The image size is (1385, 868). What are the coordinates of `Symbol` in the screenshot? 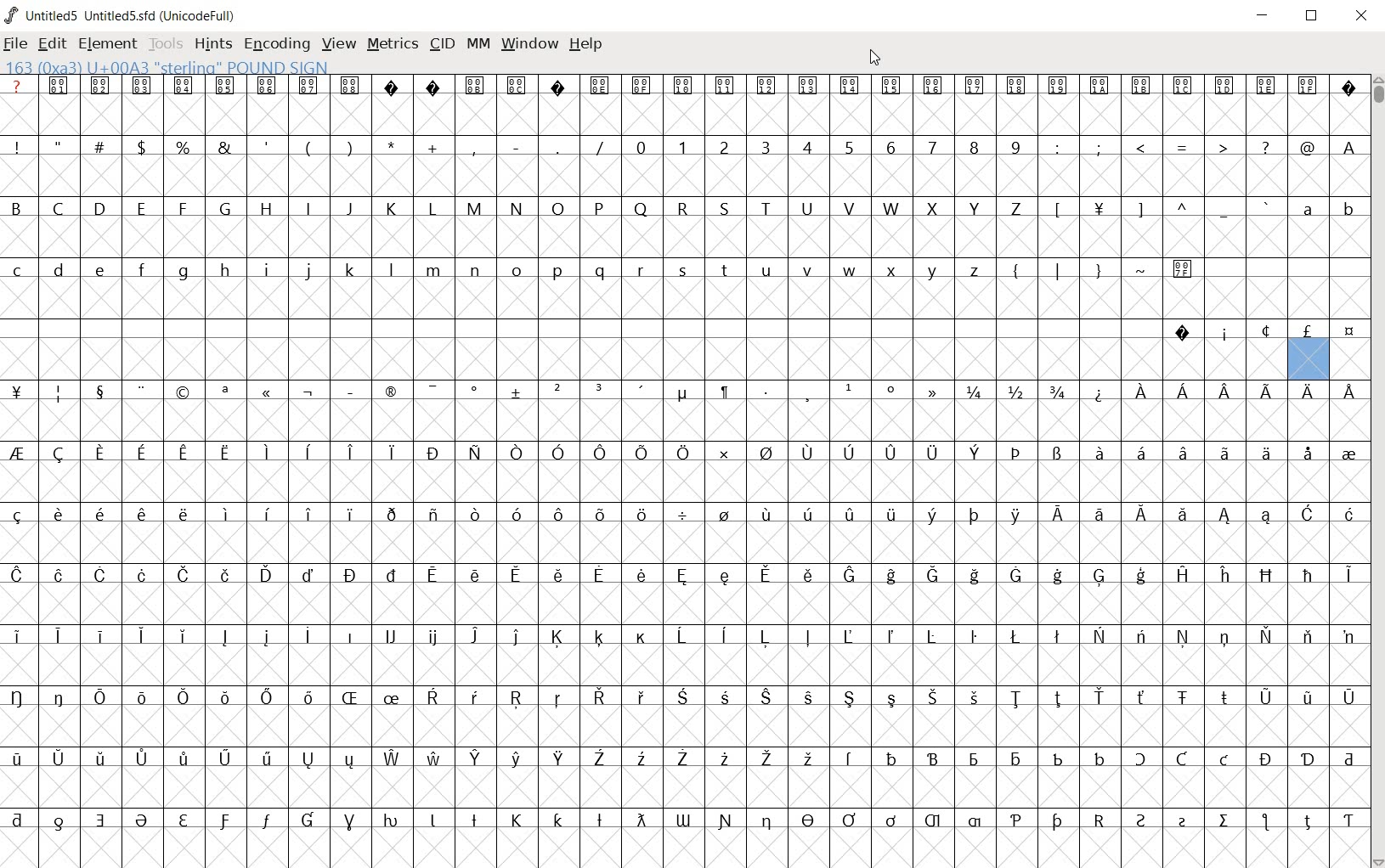 It's located at (1098, 516).